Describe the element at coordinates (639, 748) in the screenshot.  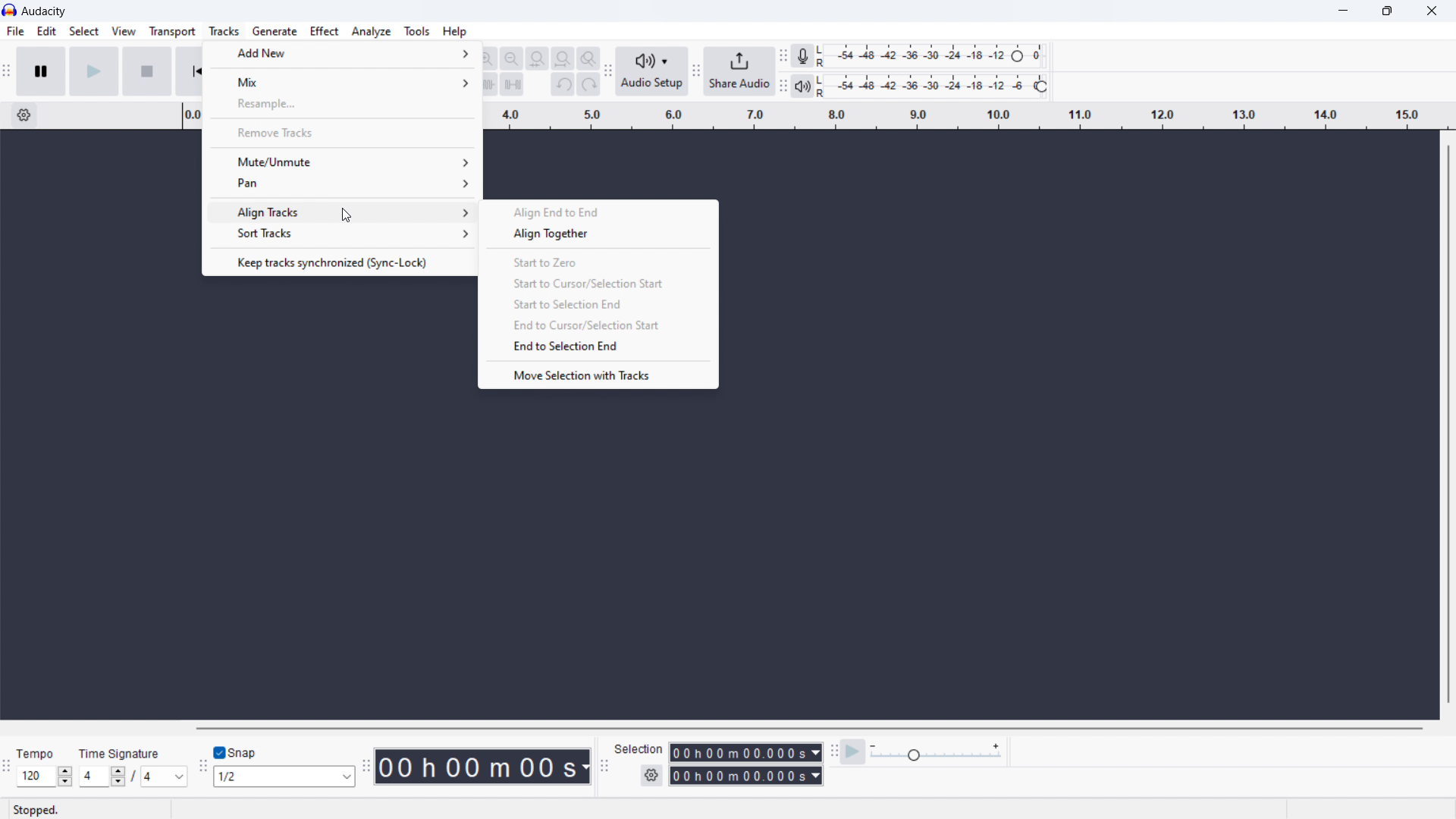
I see `Selection` at that location.